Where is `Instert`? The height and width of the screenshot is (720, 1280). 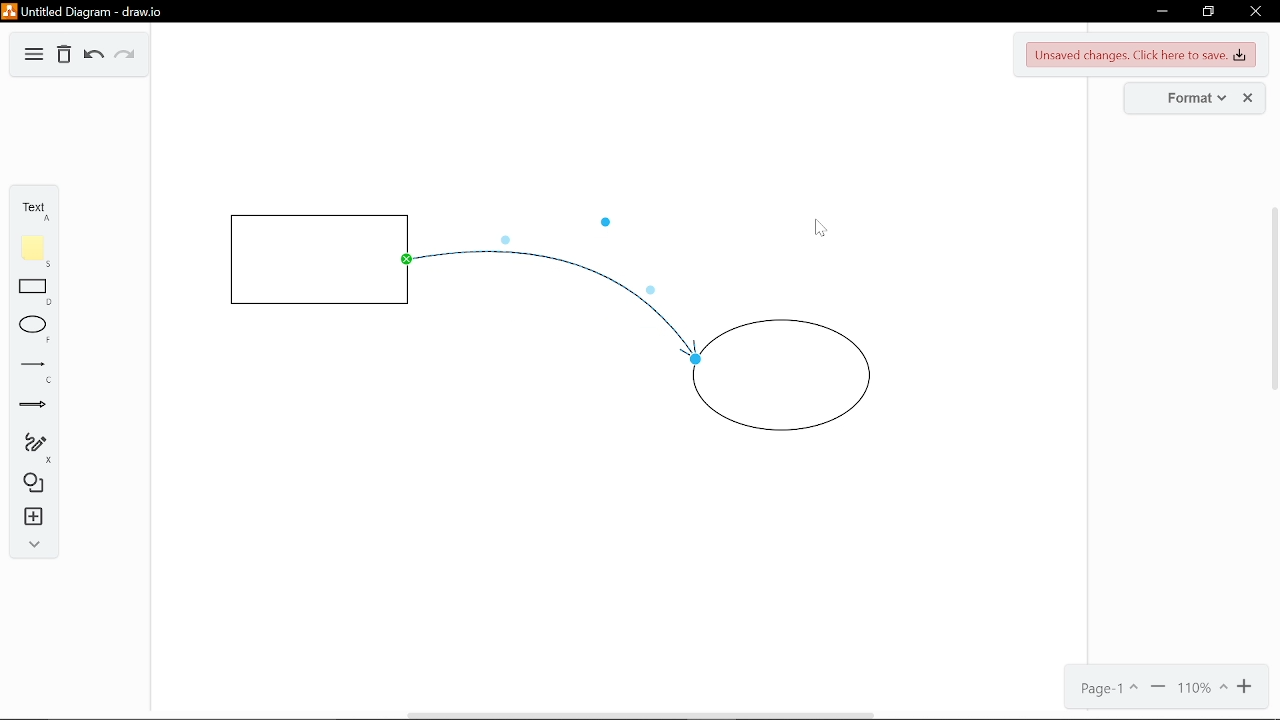 Instert is located at coordinates (30, 518).